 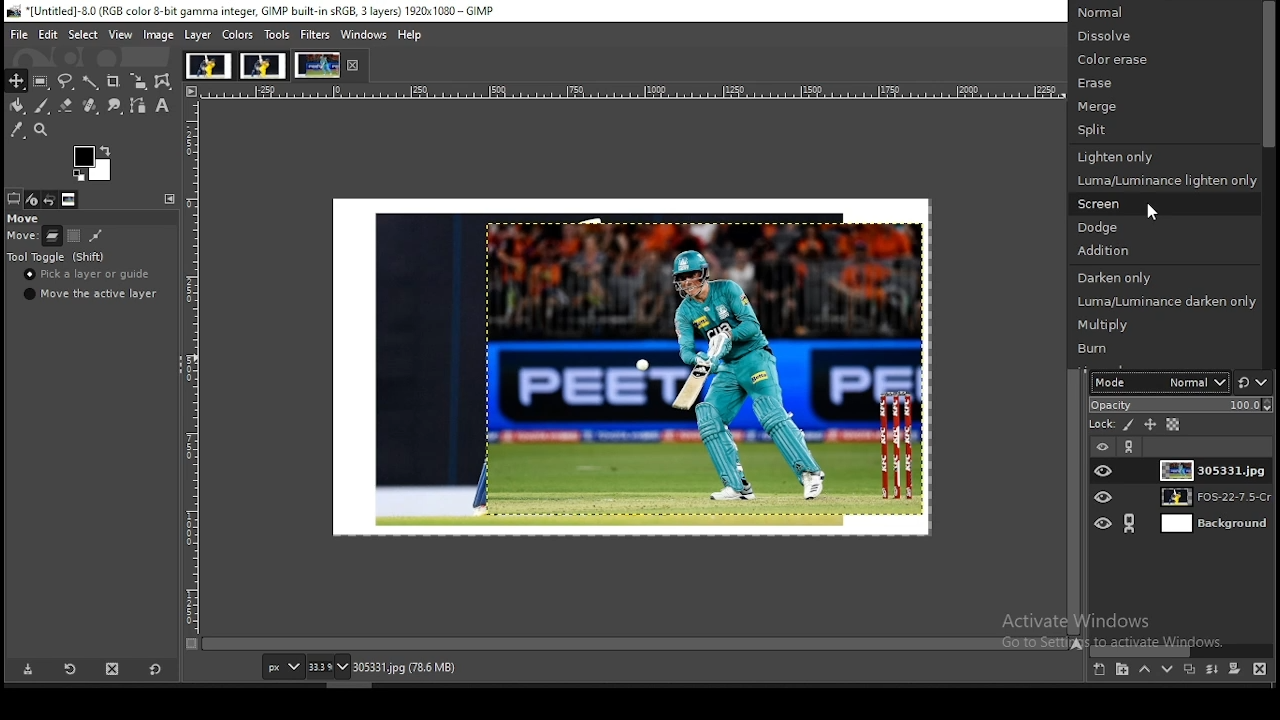 What do you see at coordinates (1162, 202) in the screenshot?
I see `screen` at bounding box center [1162, 202].